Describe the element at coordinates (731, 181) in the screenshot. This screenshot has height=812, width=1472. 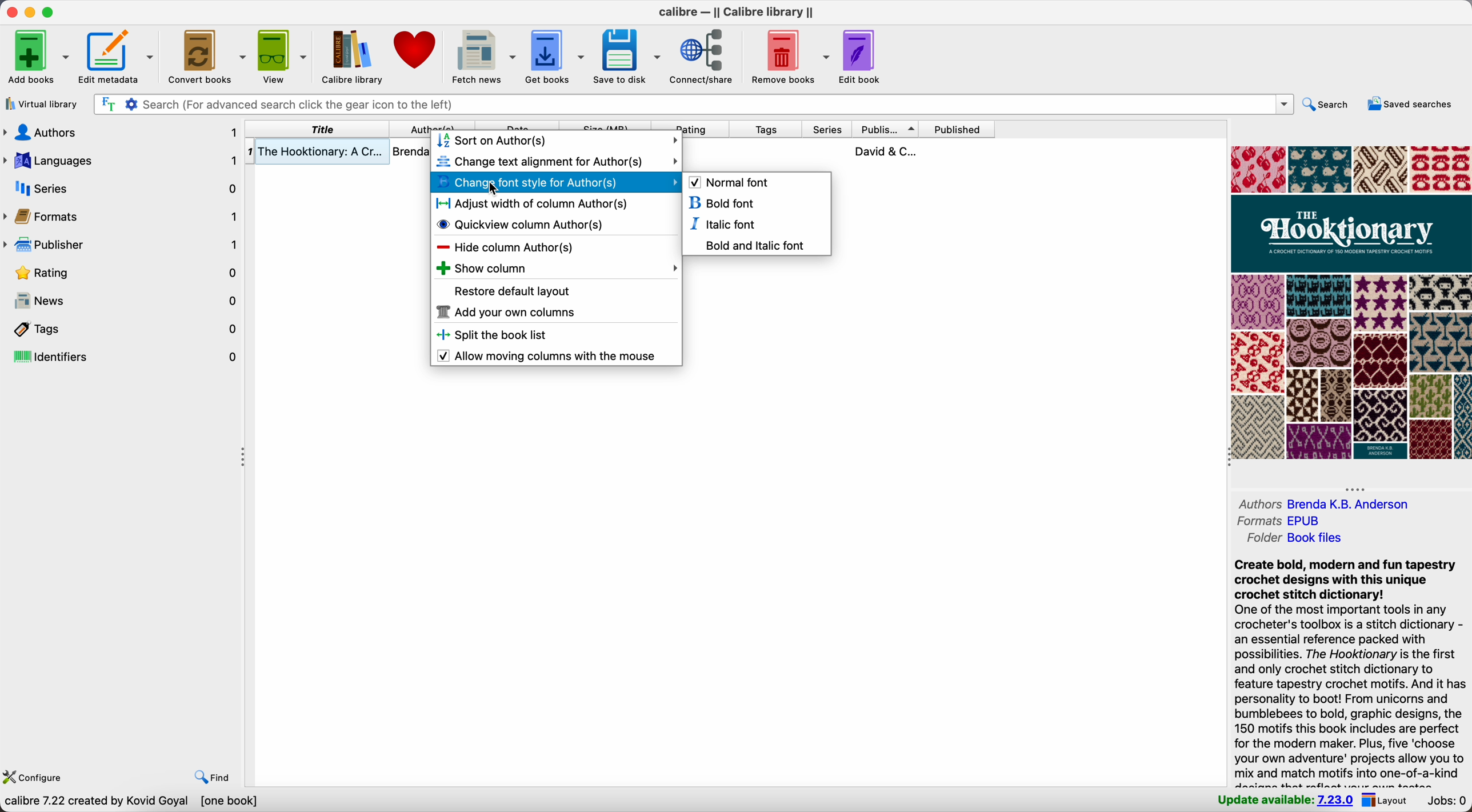
I see `normal font` at that location.